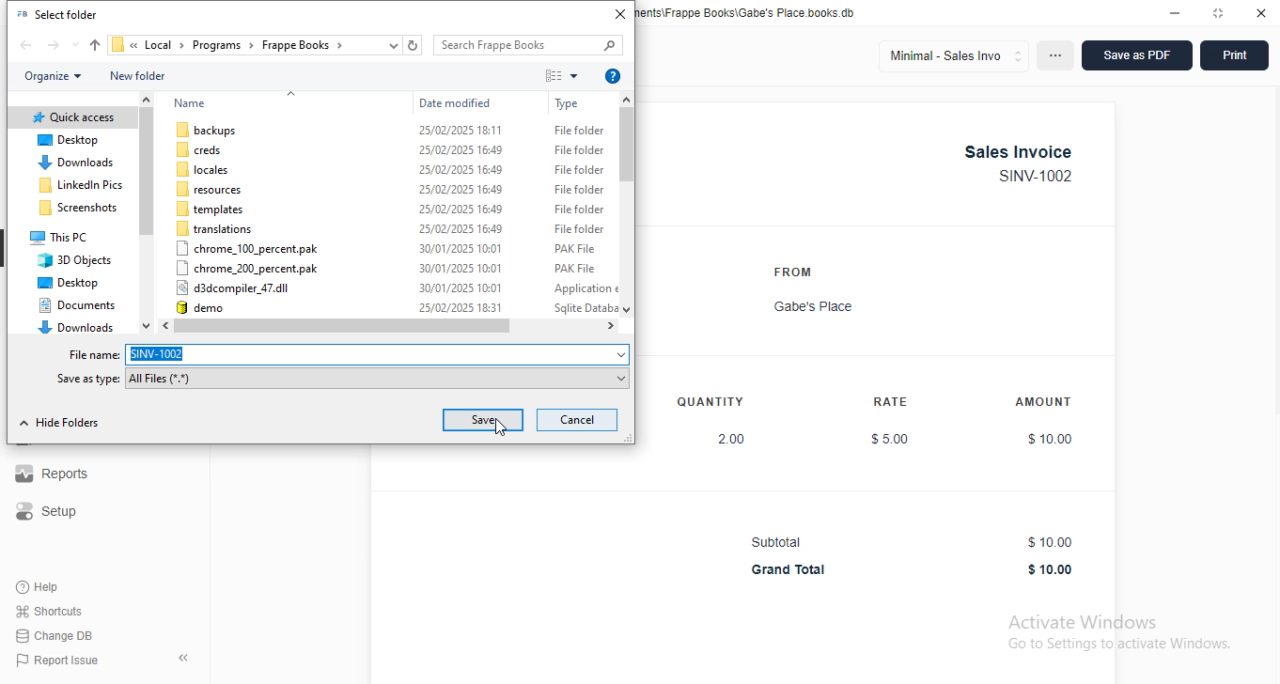 The image size is (1280, 684). I want to click on 25/02/2025 16;49, so click(460, 228).